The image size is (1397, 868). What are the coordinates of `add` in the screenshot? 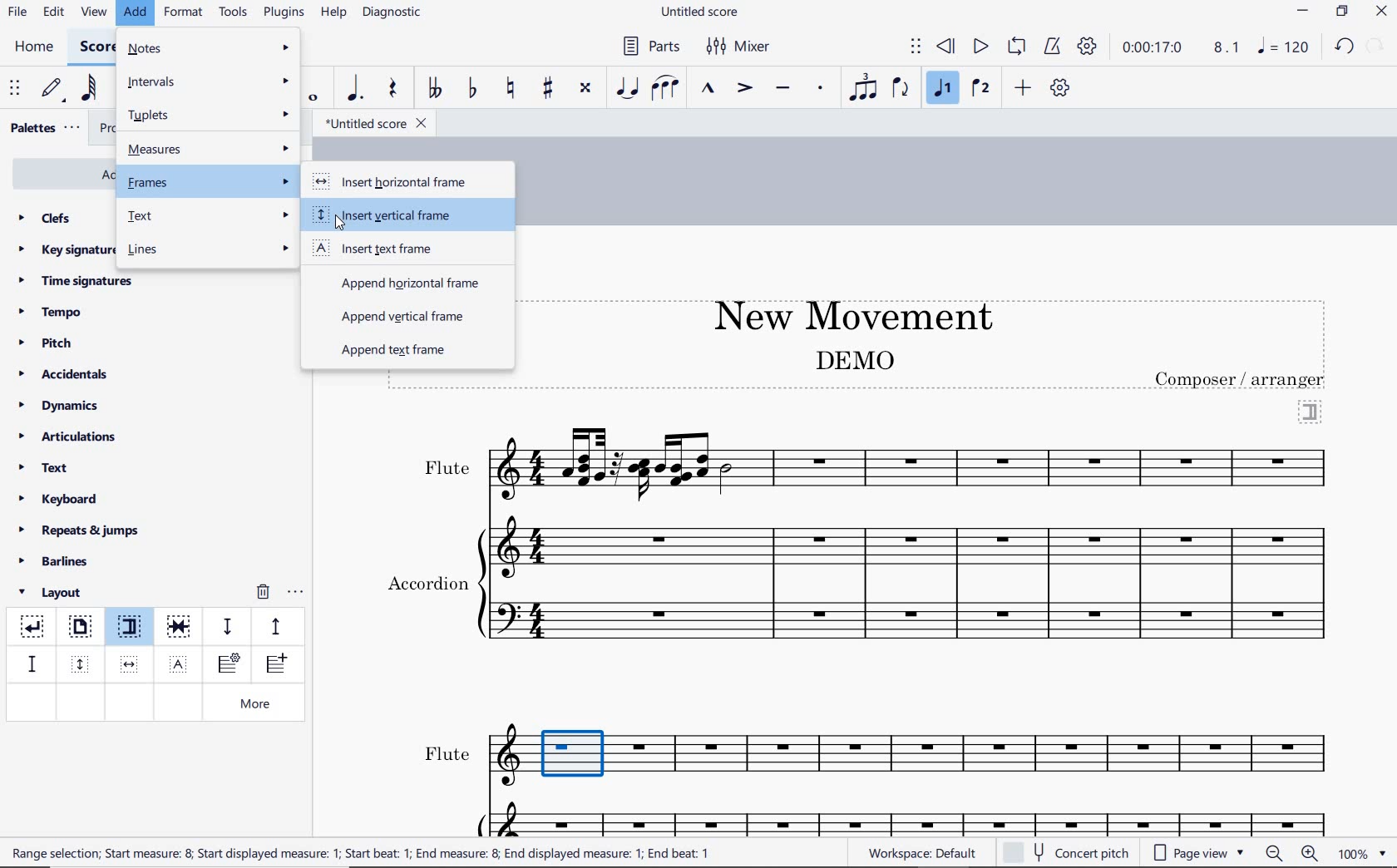 It's located at (1025, 87).